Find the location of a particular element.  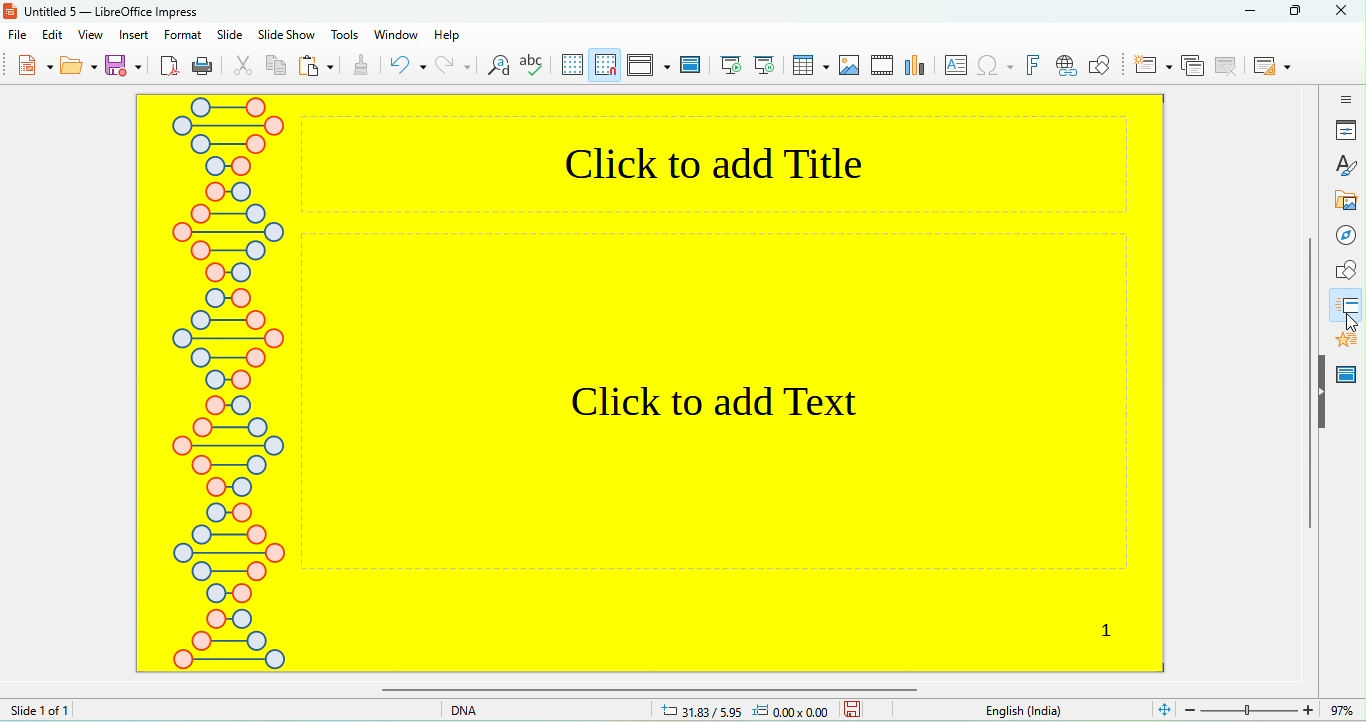

slide transitionn is located at coordinates (1346, 298).